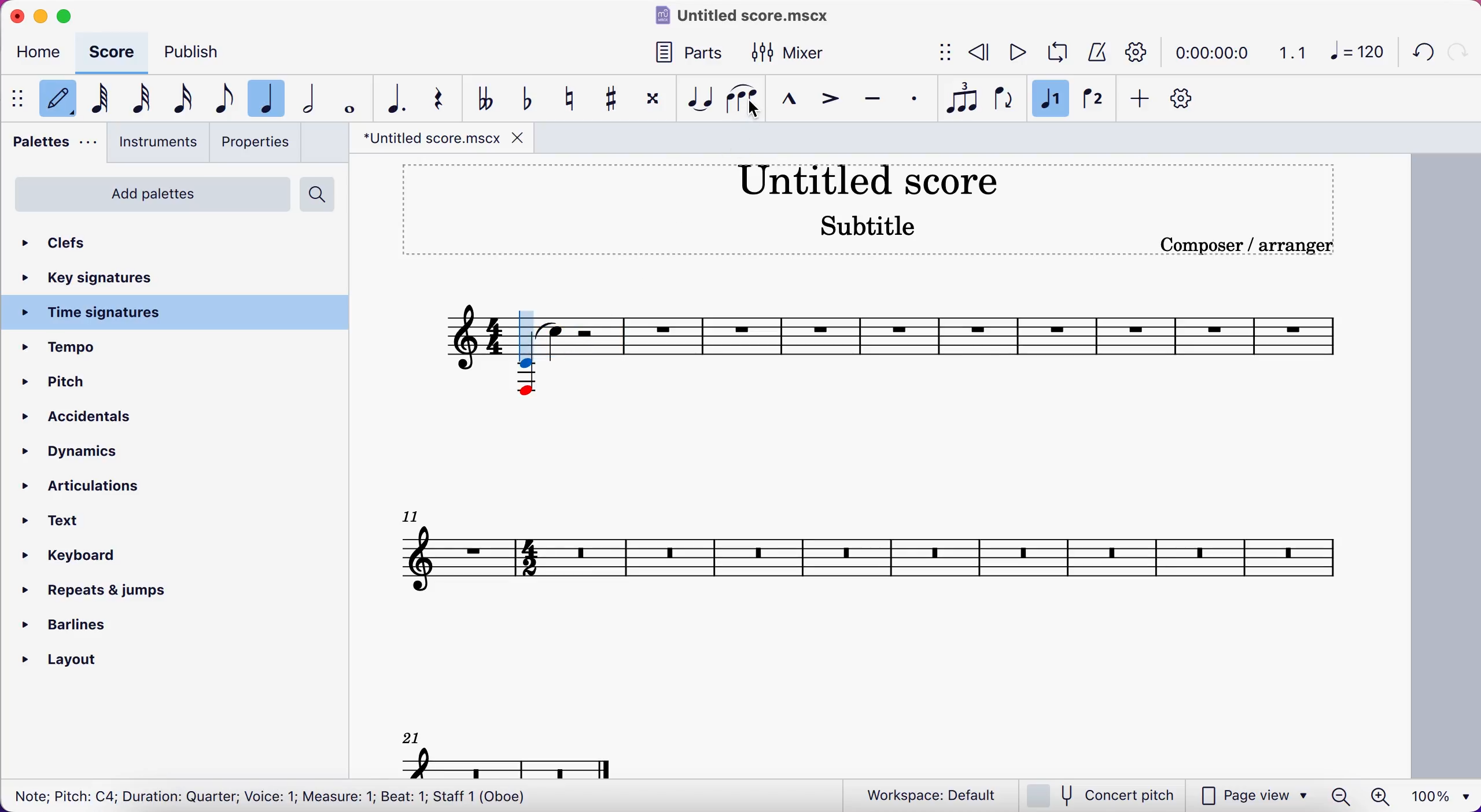 The height and width of the screenshot is (812, 1481). I want to click on customization toolbar, so click(1185, 102).